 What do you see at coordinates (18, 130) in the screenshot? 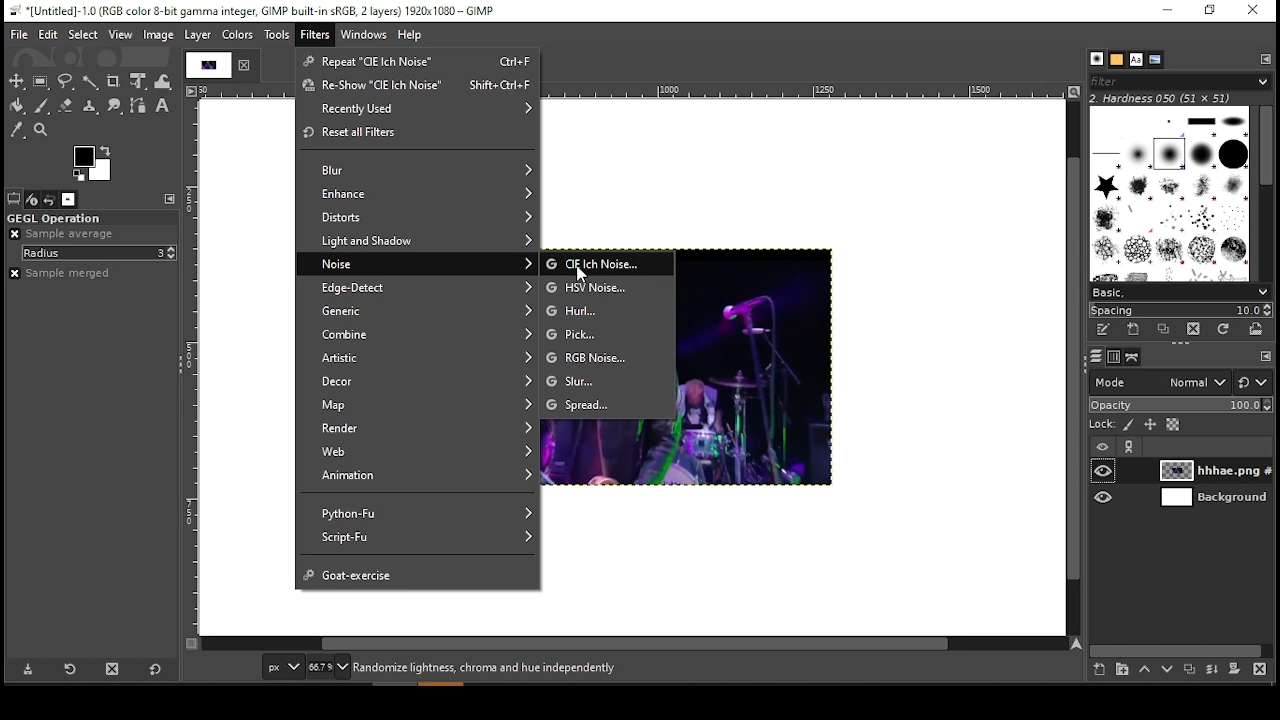
I see `color picker tool` at bounding box center [18, 130].